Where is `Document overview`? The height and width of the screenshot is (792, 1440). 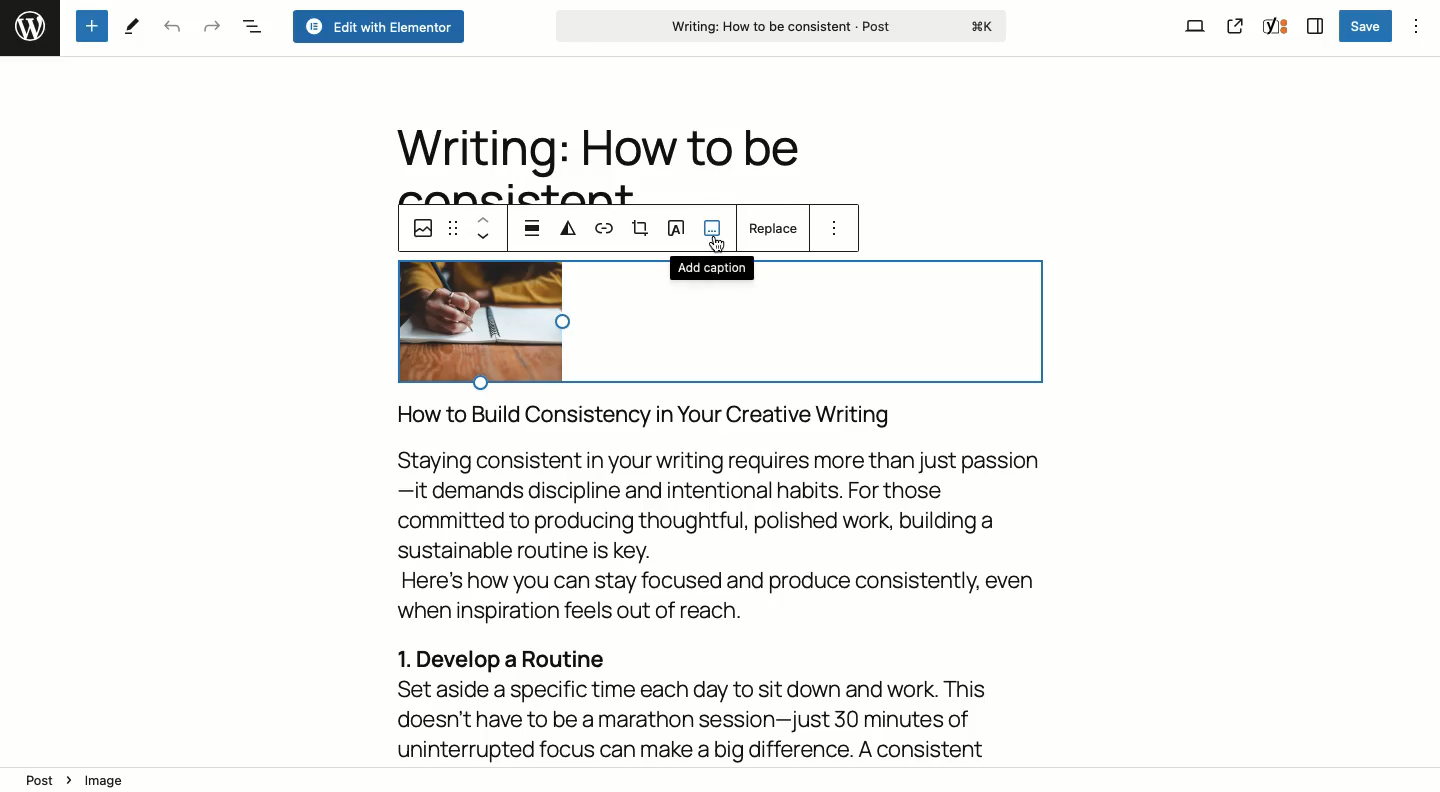
Document overview is located at coordinates (251, 25).